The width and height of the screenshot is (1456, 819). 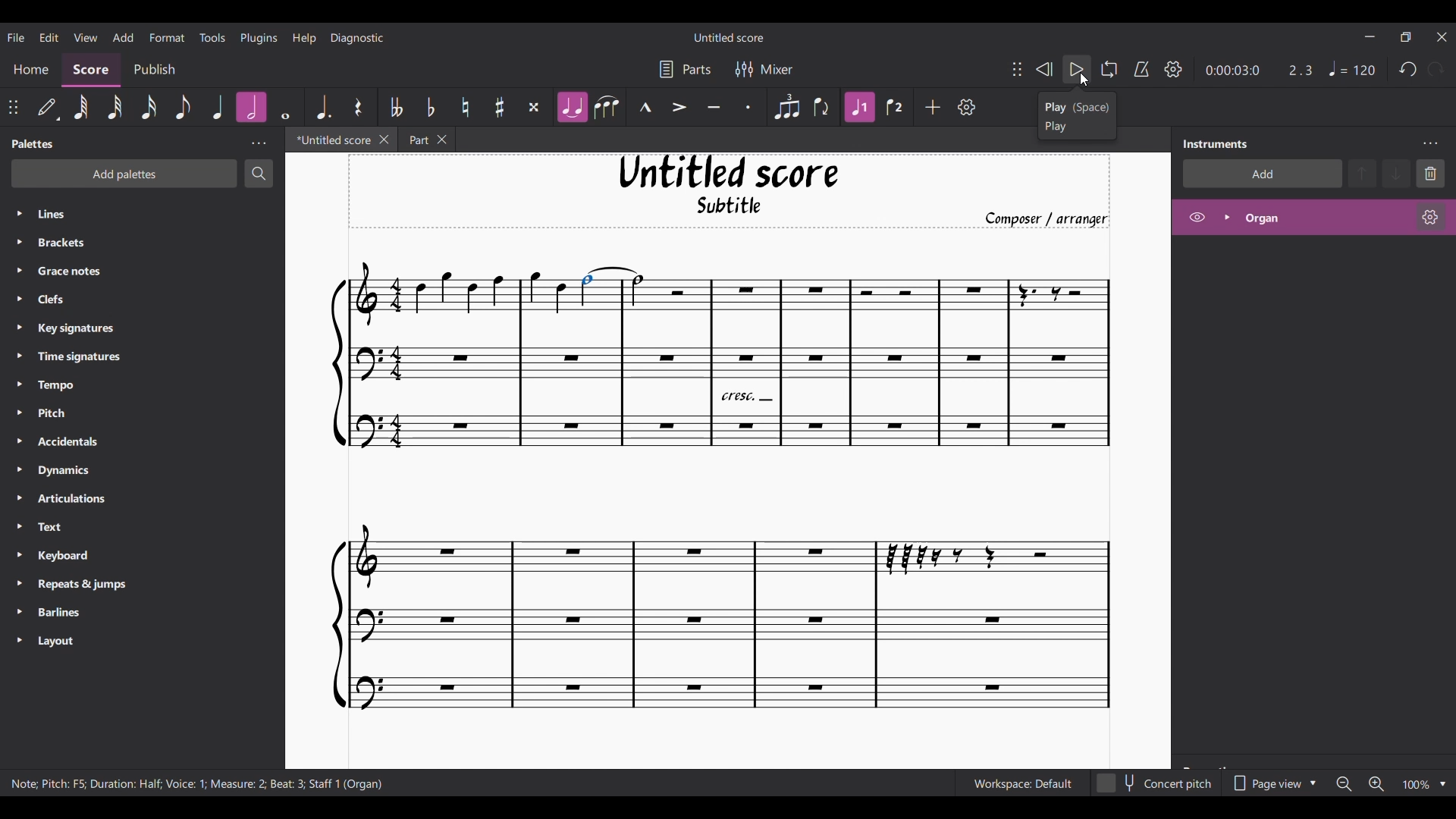 What do you see at coordinates (1405, 36) in the screenshot?
I see `Show interface in a smaller tab` at bounding box center [1405, 36].